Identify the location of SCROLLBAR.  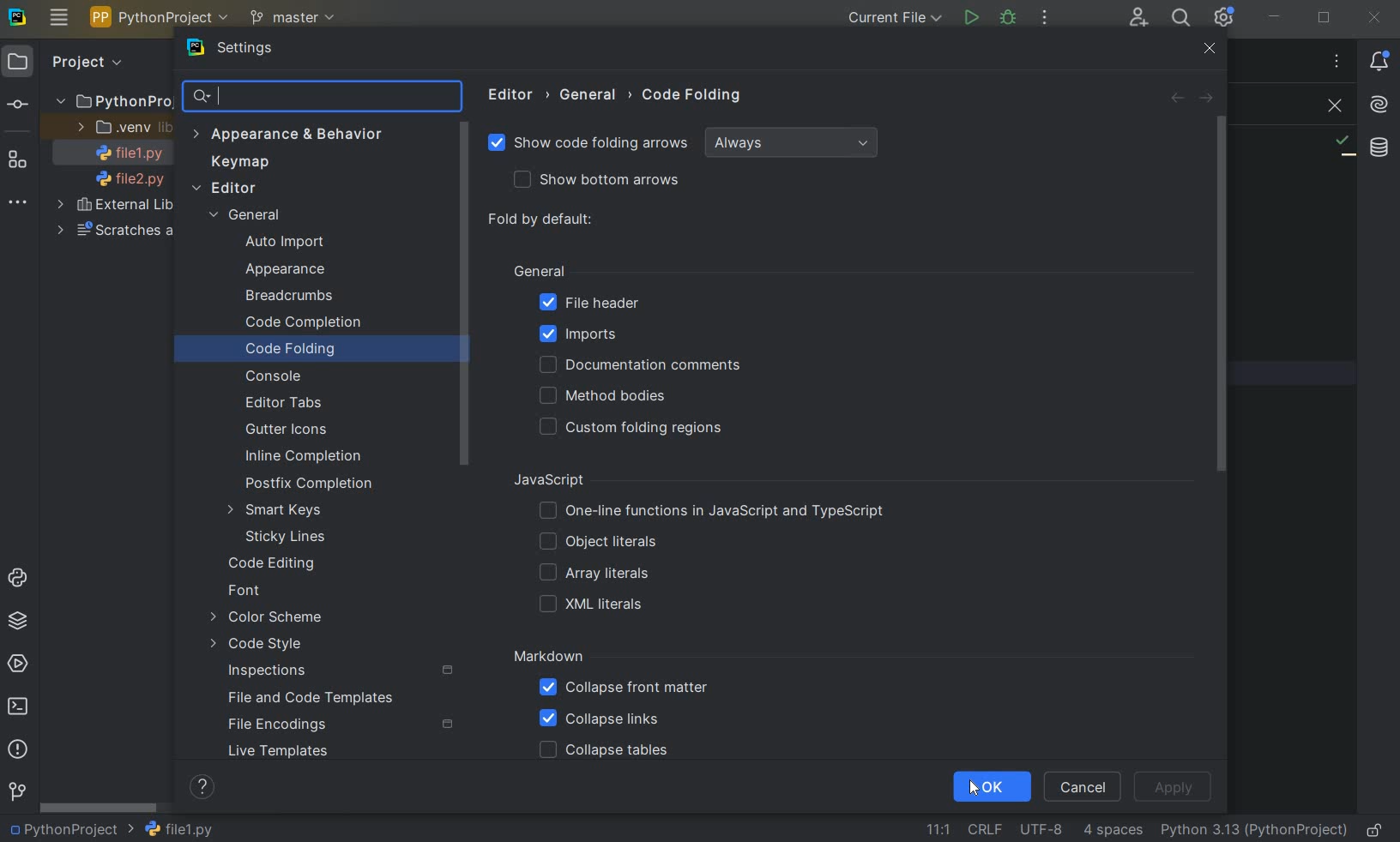
(99, 809).